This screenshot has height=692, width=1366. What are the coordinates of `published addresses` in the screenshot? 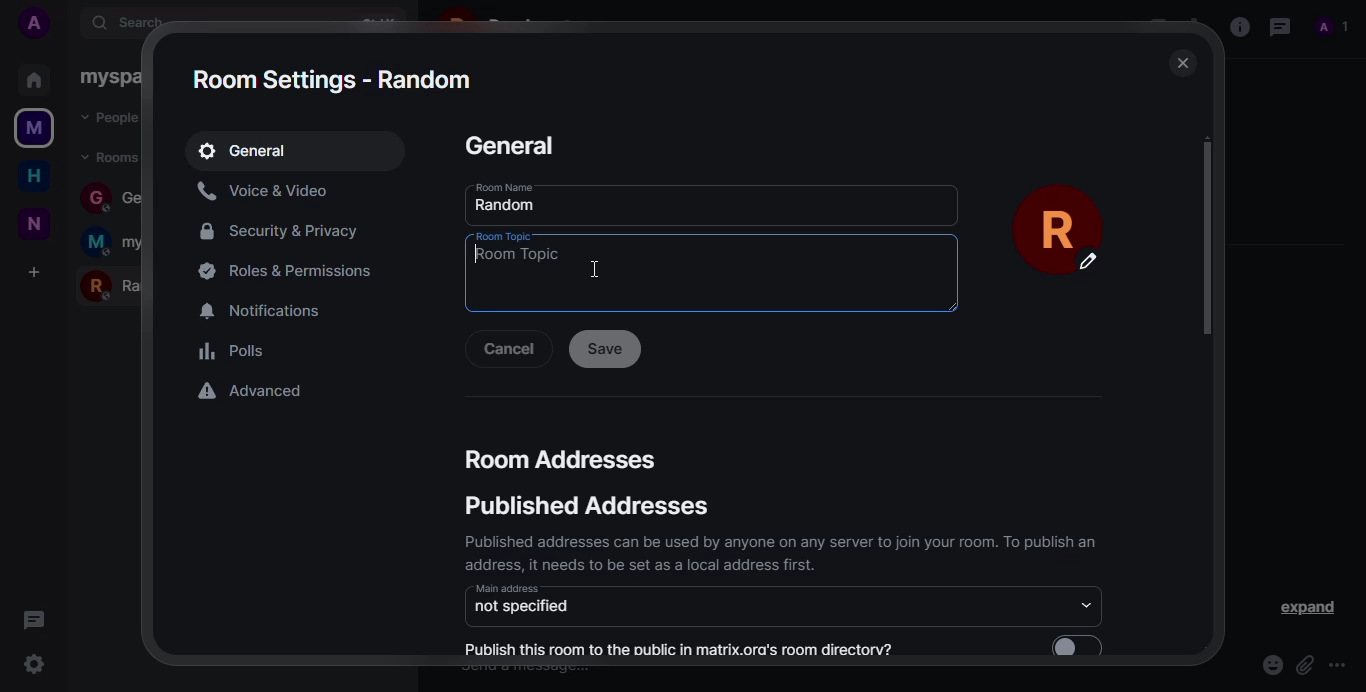 It's located at (589, 506).